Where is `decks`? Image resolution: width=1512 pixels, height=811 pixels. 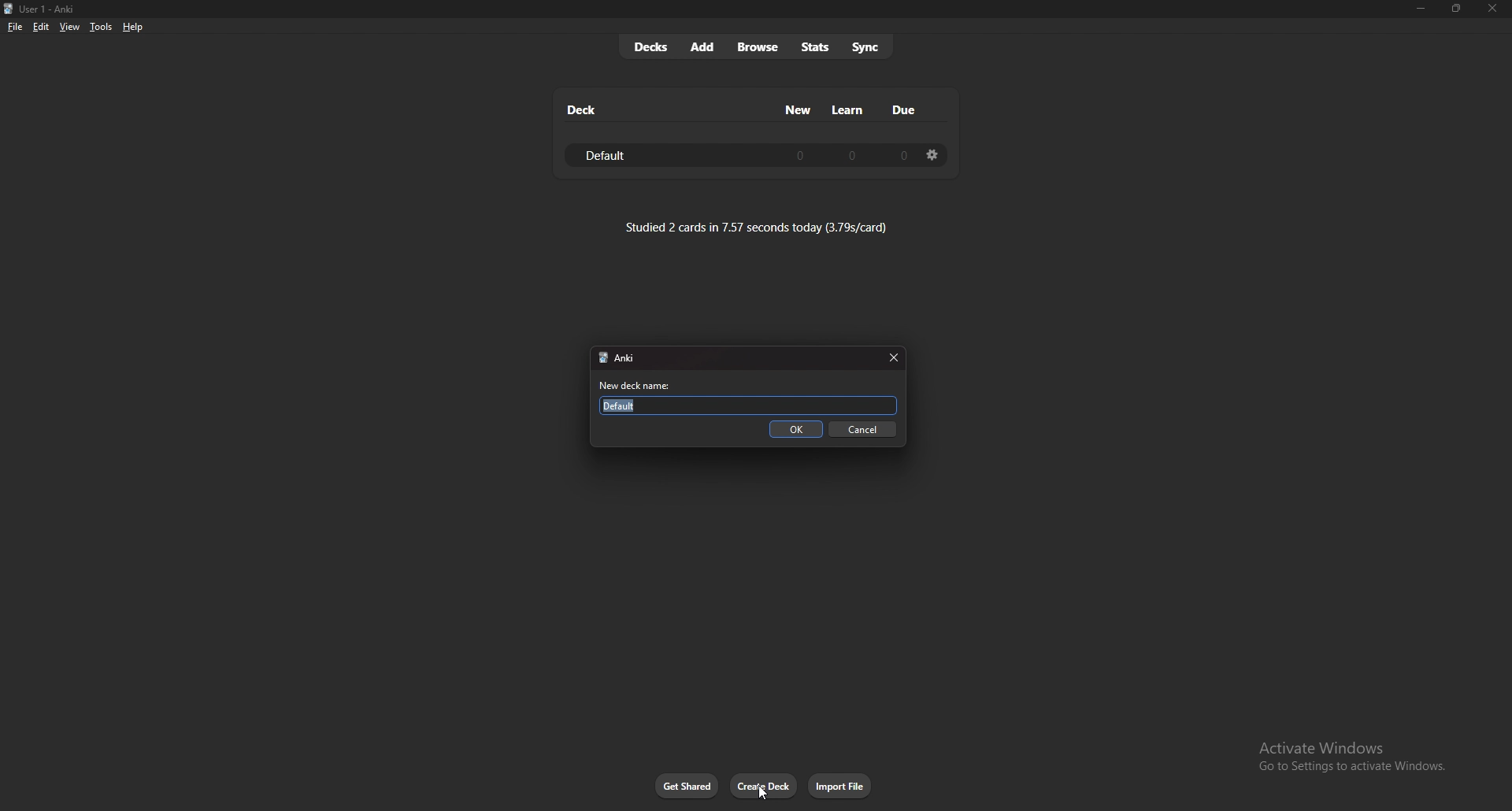
decks is located at coordinates (650, 47).